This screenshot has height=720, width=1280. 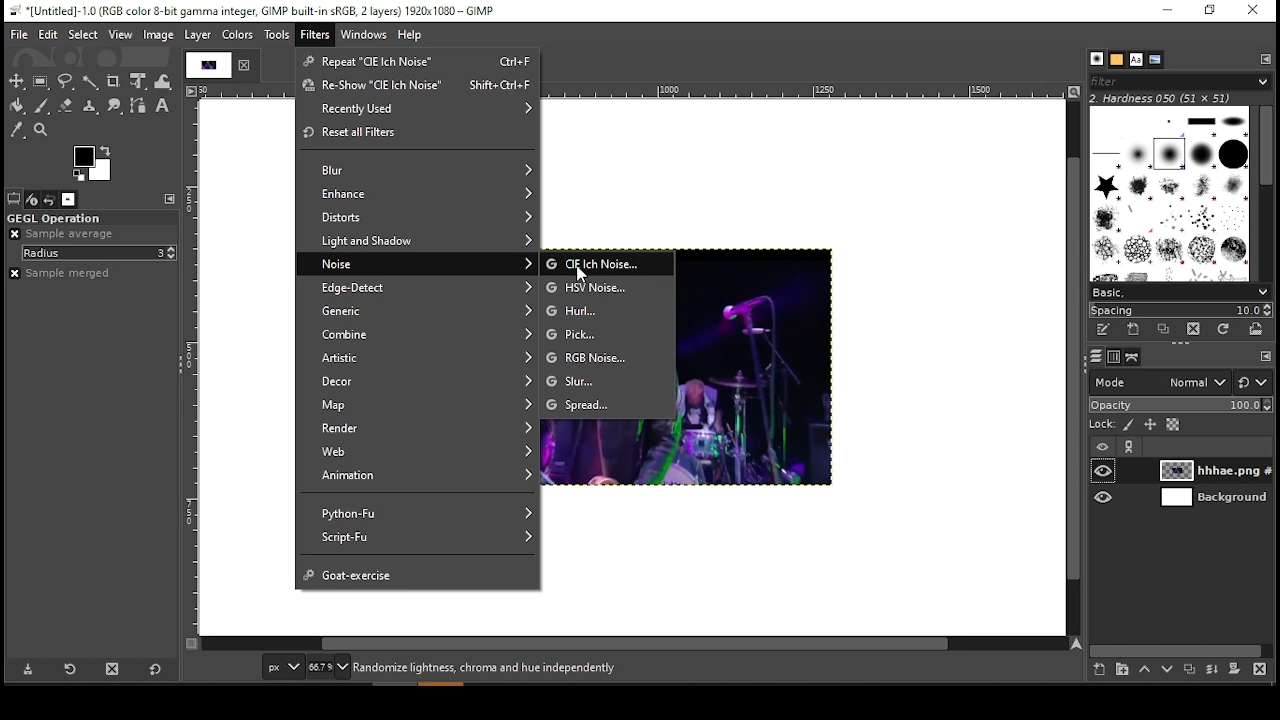 What do you see at coordinates (159, 34) in the screenshot?
I see `image` at bounding box center [159, 34].